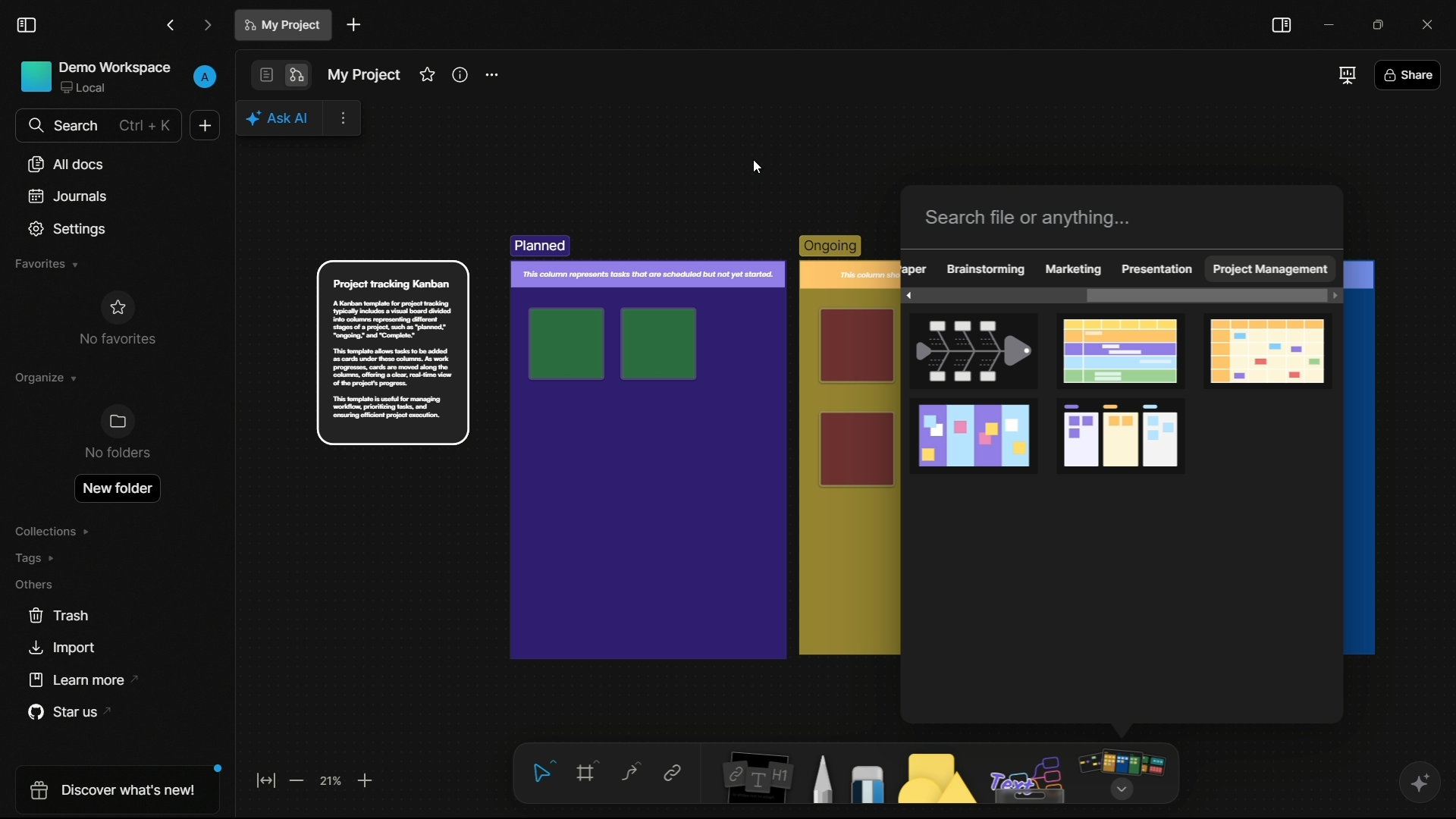  What do you see at coordinates (757, 777) in the screenshot?
I see `notes` at bounding box center [757, 777].